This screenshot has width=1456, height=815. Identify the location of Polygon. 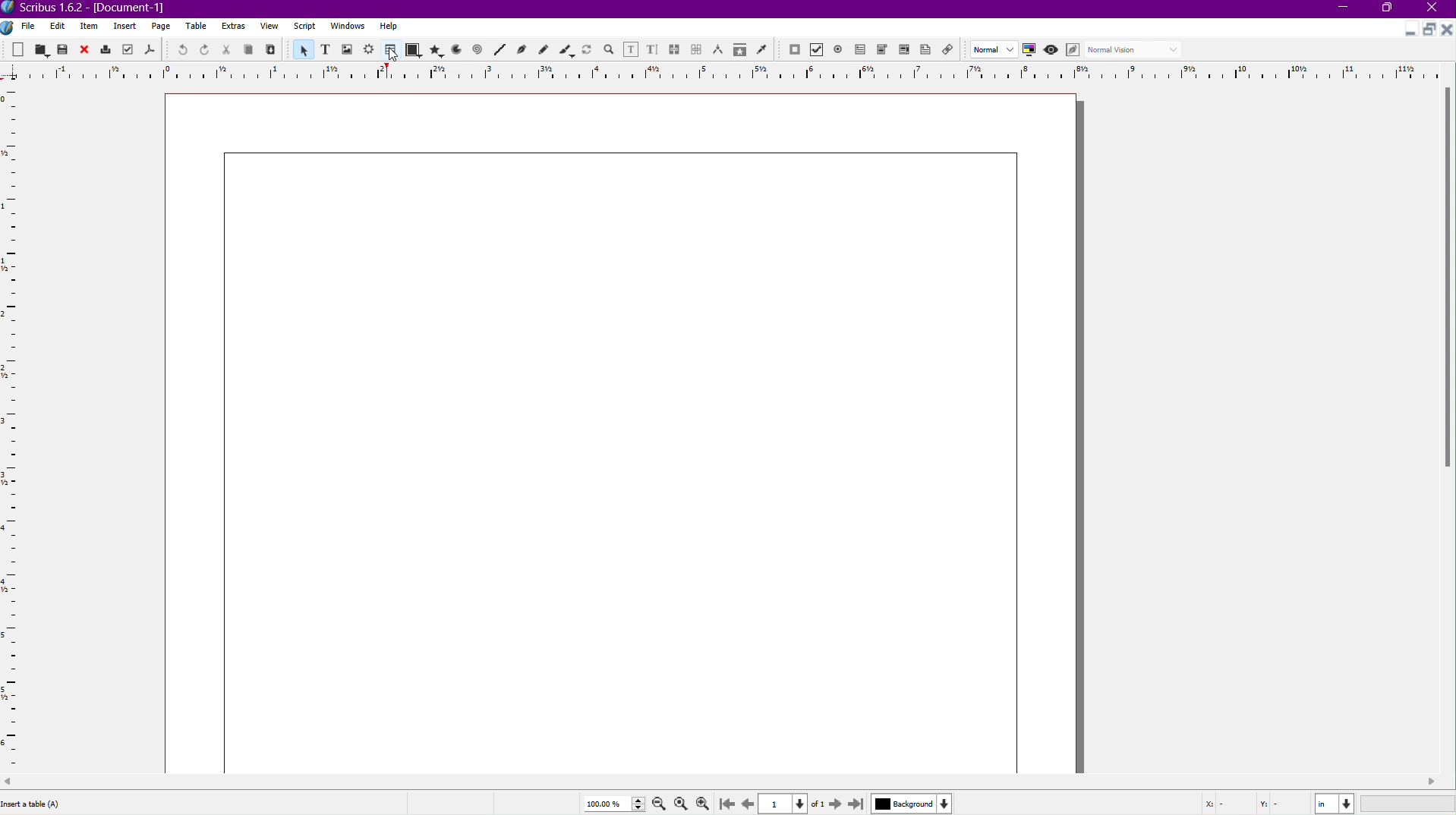
(437, 50).